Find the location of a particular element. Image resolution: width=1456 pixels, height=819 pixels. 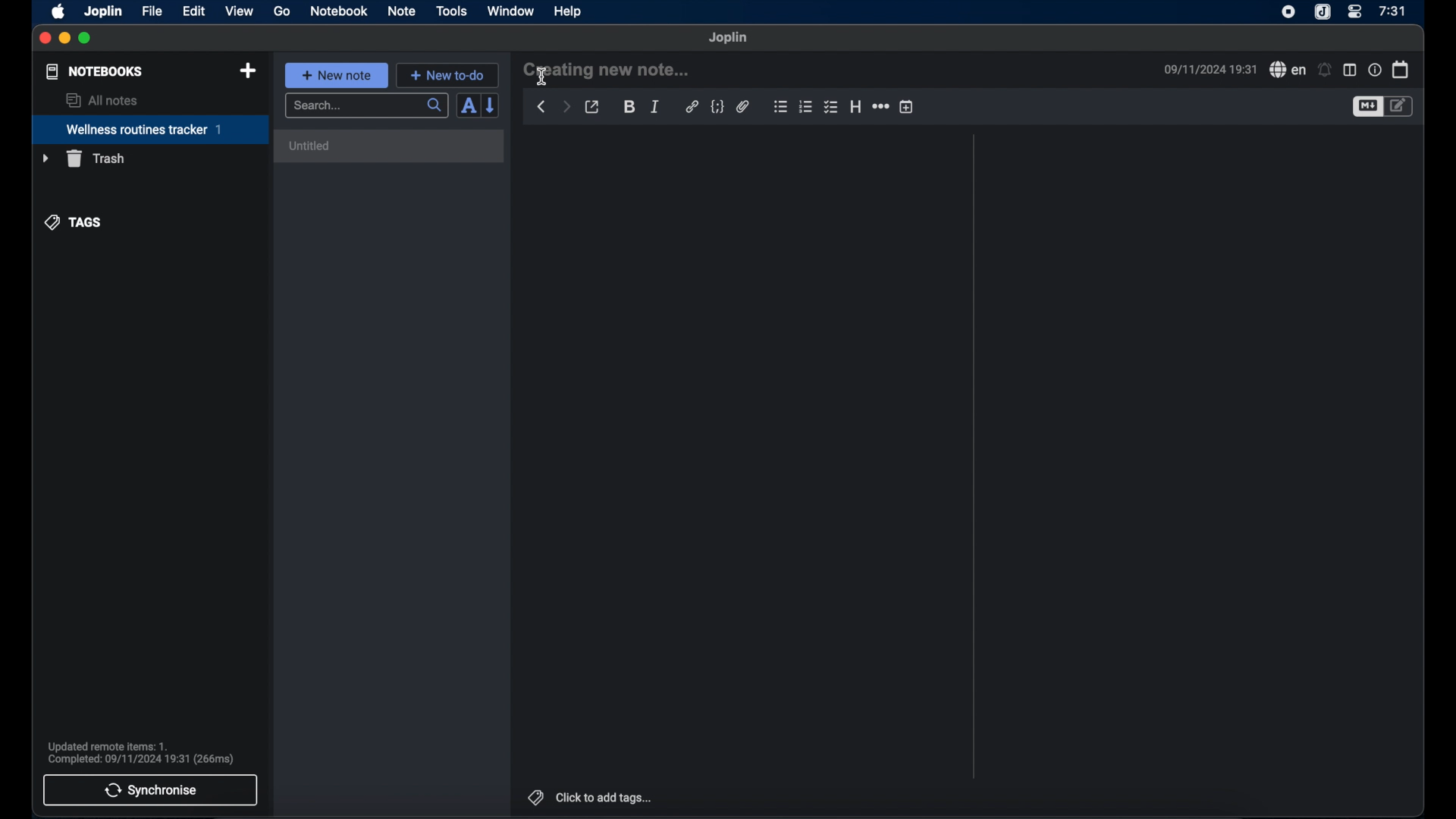

creating new note is located at coordinates (605, 71).